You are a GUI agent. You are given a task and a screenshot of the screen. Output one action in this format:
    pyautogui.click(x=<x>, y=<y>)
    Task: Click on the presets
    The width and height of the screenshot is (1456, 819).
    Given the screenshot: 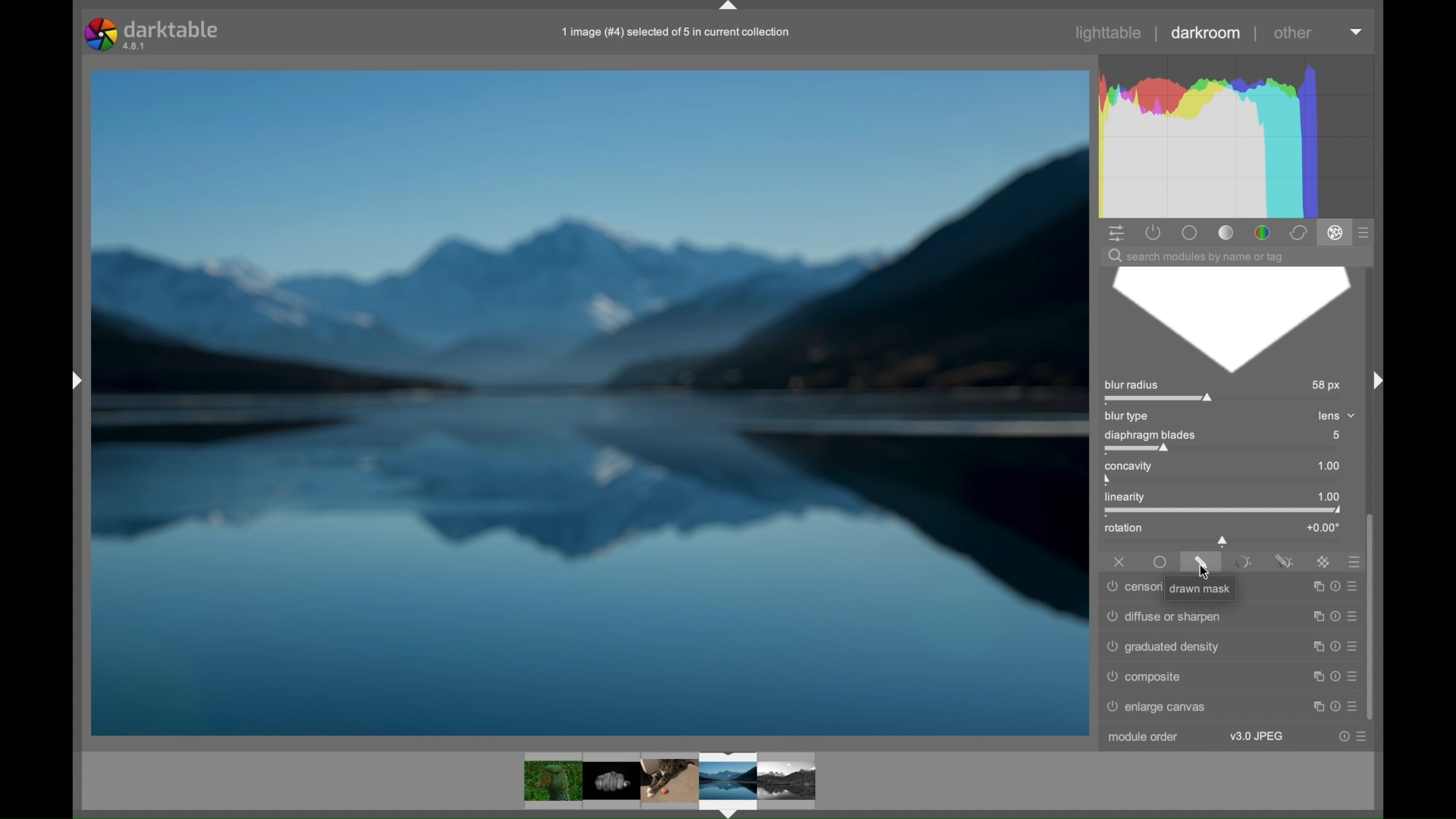 What is the action you would take?
    pyautogui.click(x=1365, y=232)
    